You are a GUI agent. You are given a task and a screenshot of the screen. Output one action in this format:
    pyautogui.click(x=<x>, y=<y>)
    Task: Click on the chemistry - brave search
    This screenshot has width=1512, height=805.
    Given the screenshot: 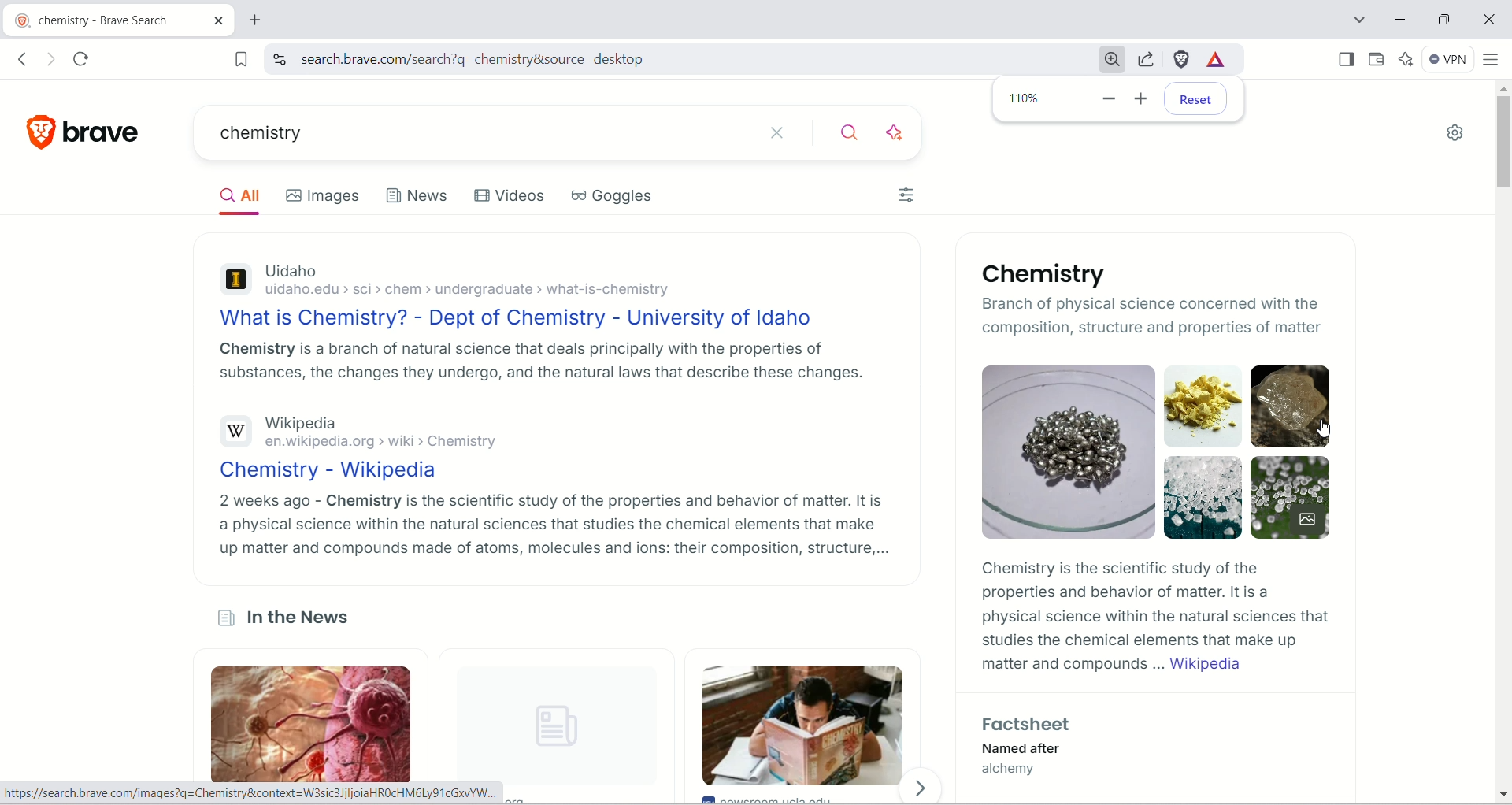 What is the action you would take?
    pyautogui.click(x=96, y=18)
    